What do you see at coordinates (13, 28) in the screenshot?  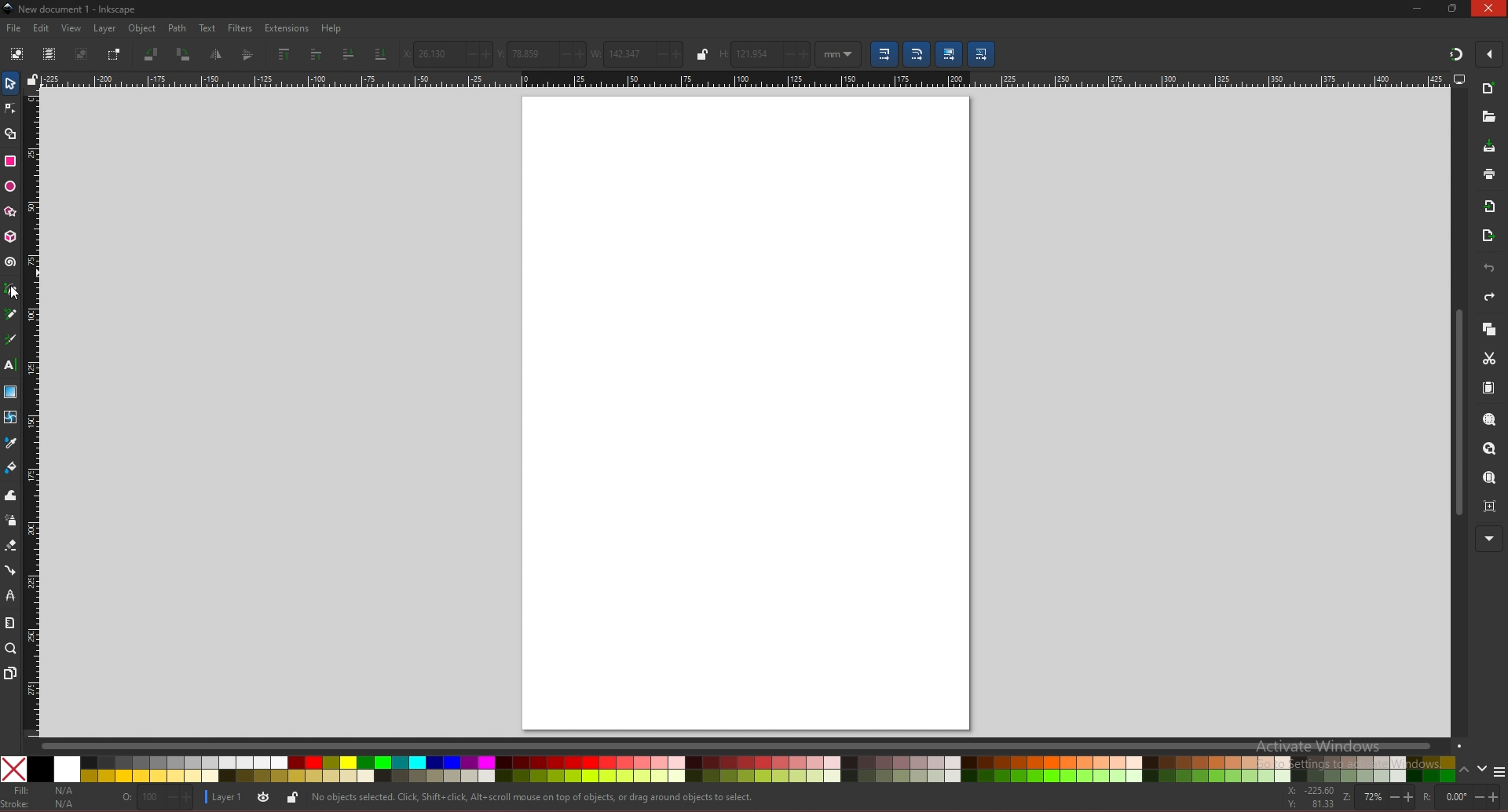 I see `file` at bounding box center [13, 28].